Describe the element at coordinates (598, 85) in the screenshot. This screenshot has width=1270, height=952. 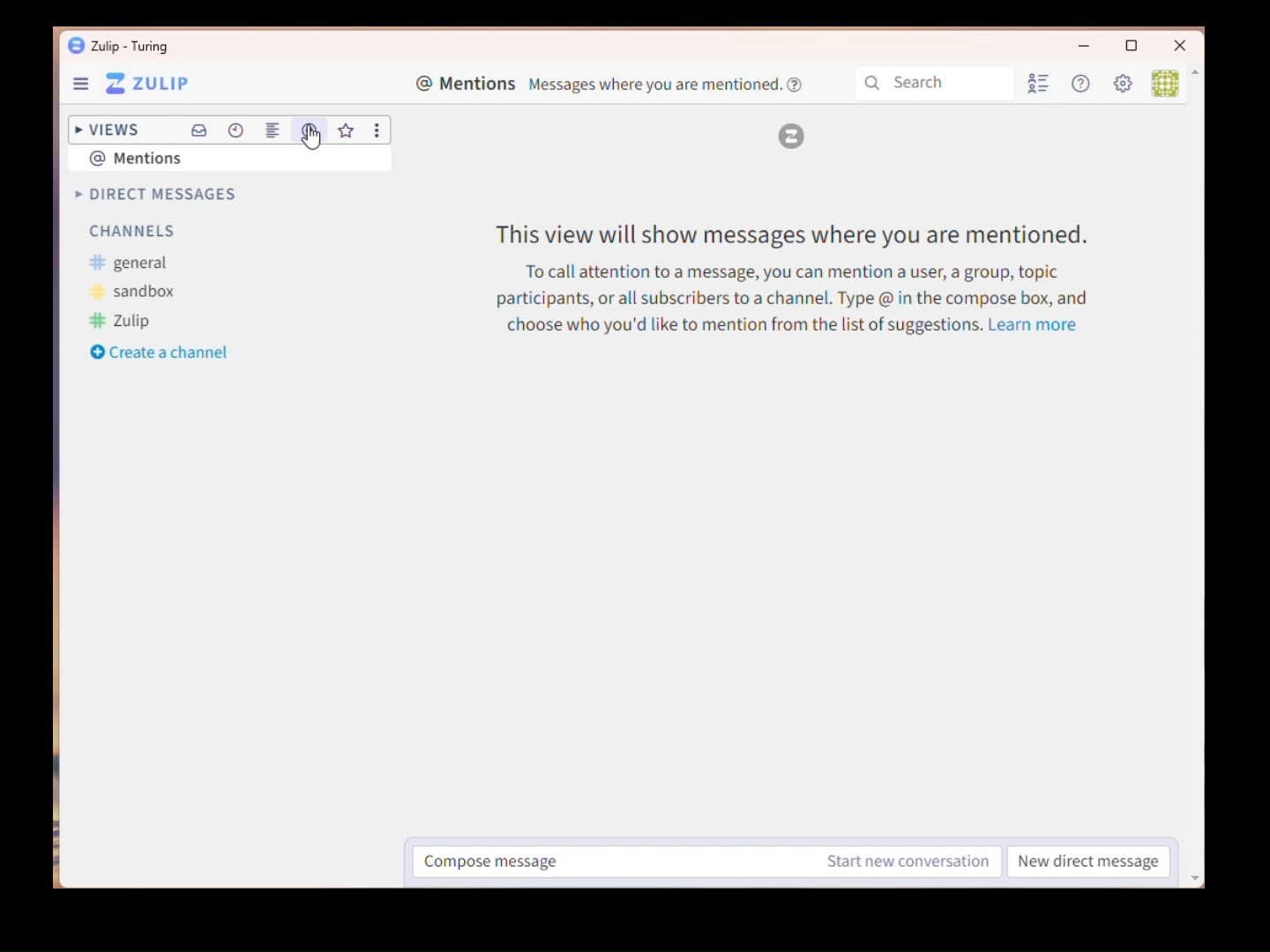
I see `@mentions` at that location.